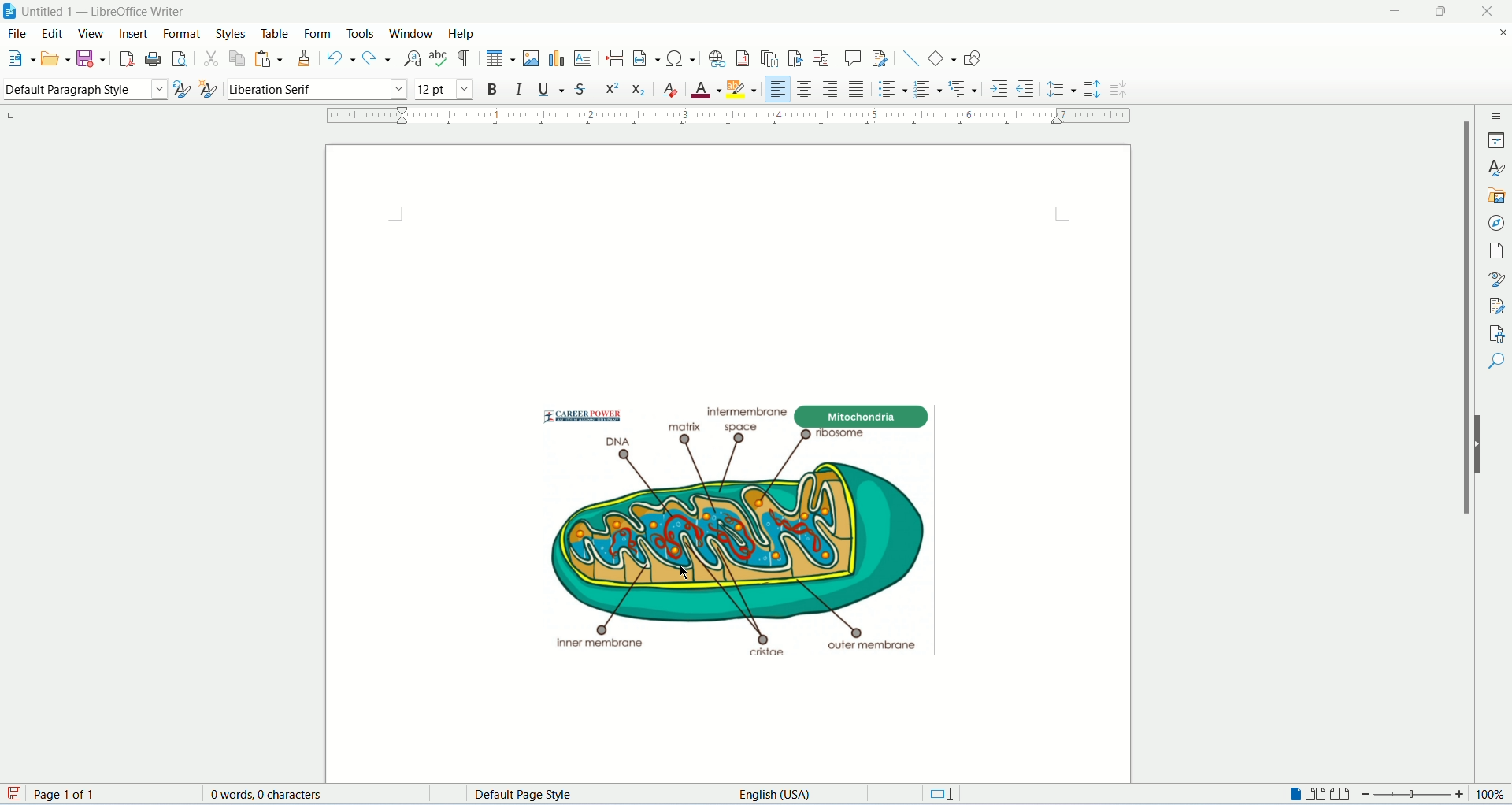 This screenshot has height=805, width=1512. What do you see at coordinates (265, 794) in the screenshot?
I see `0 words, 0 characters` at bounding box center [265, 794].